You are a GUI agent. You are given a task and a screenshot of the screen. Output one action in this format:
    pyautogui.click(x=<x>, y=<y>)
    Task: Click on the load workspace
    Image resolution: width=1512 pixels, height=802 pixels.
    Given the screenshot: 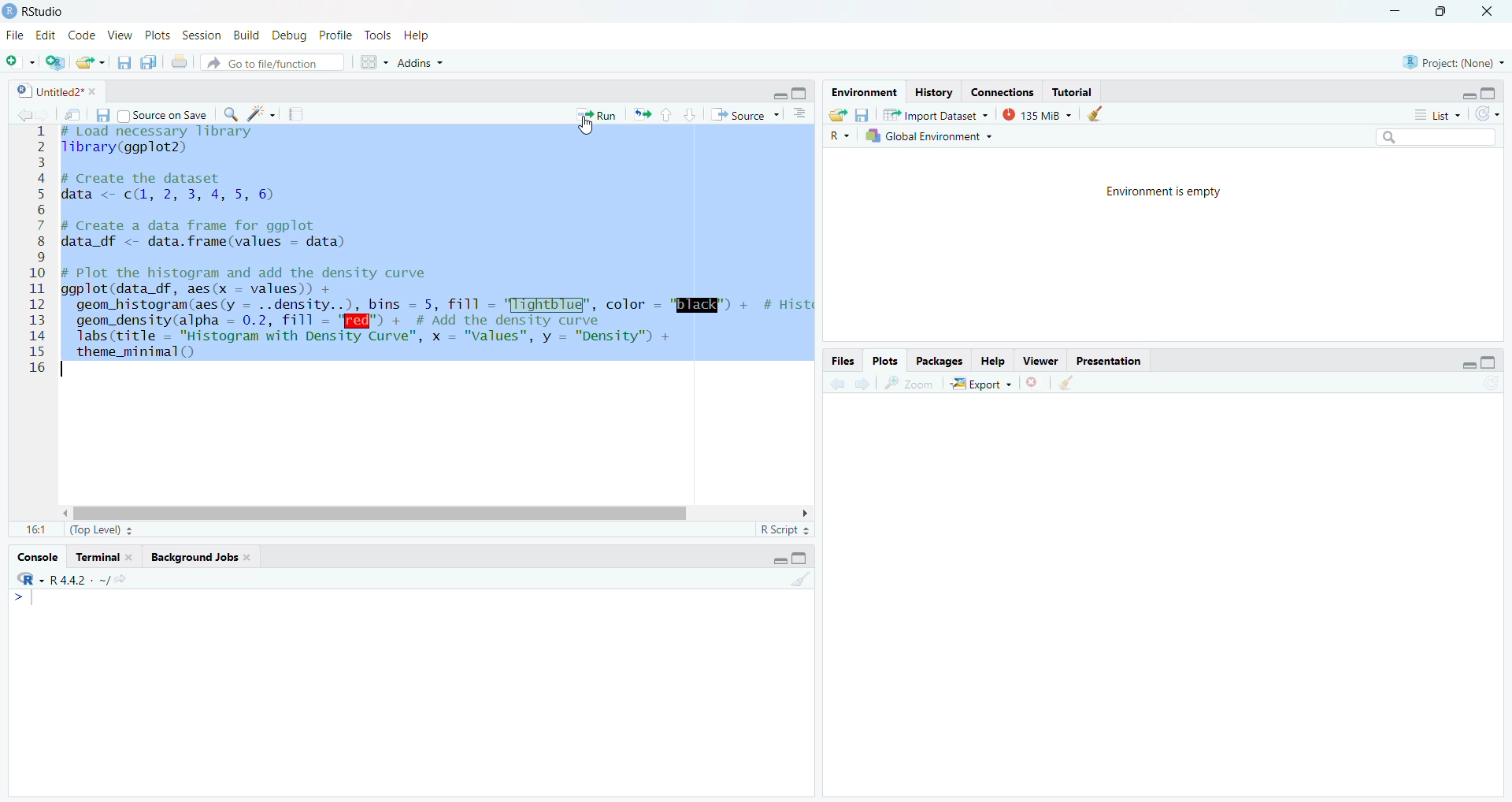 What is the action you would take?
    pyautogui.click(x=837, y=114)
    